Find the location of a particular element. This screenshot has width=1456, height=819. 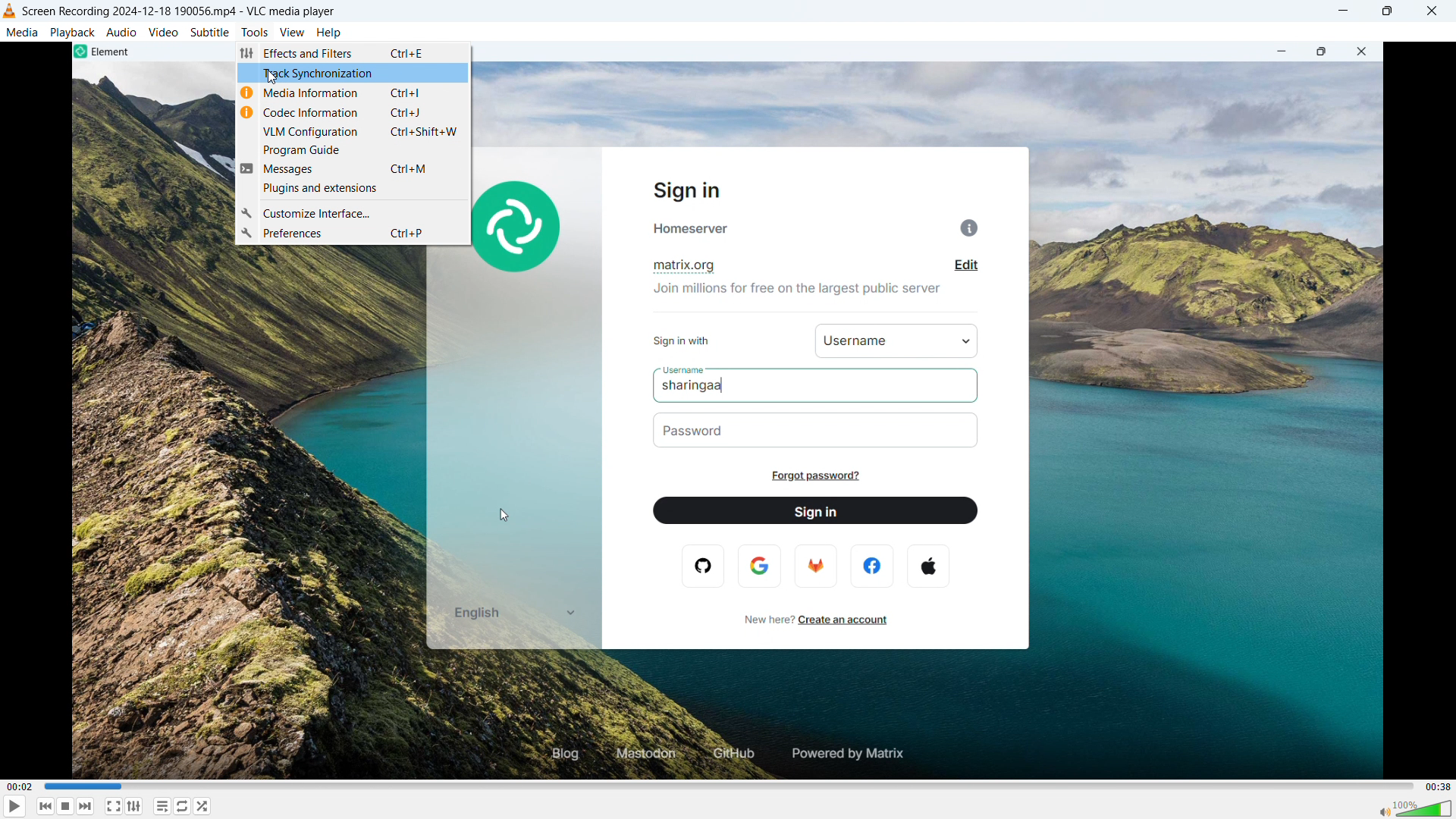

video is located at coordinates (163, 33).